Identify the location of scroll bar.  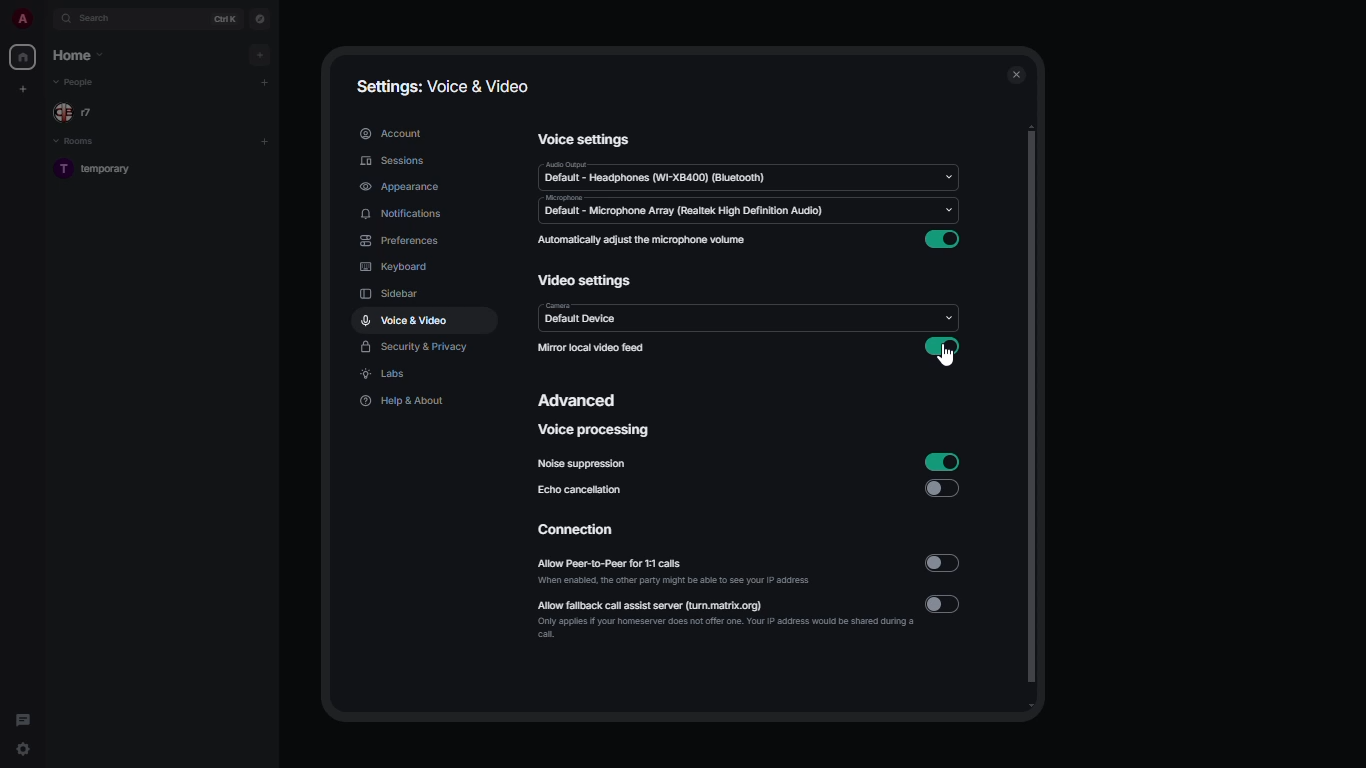
(1034, 420).